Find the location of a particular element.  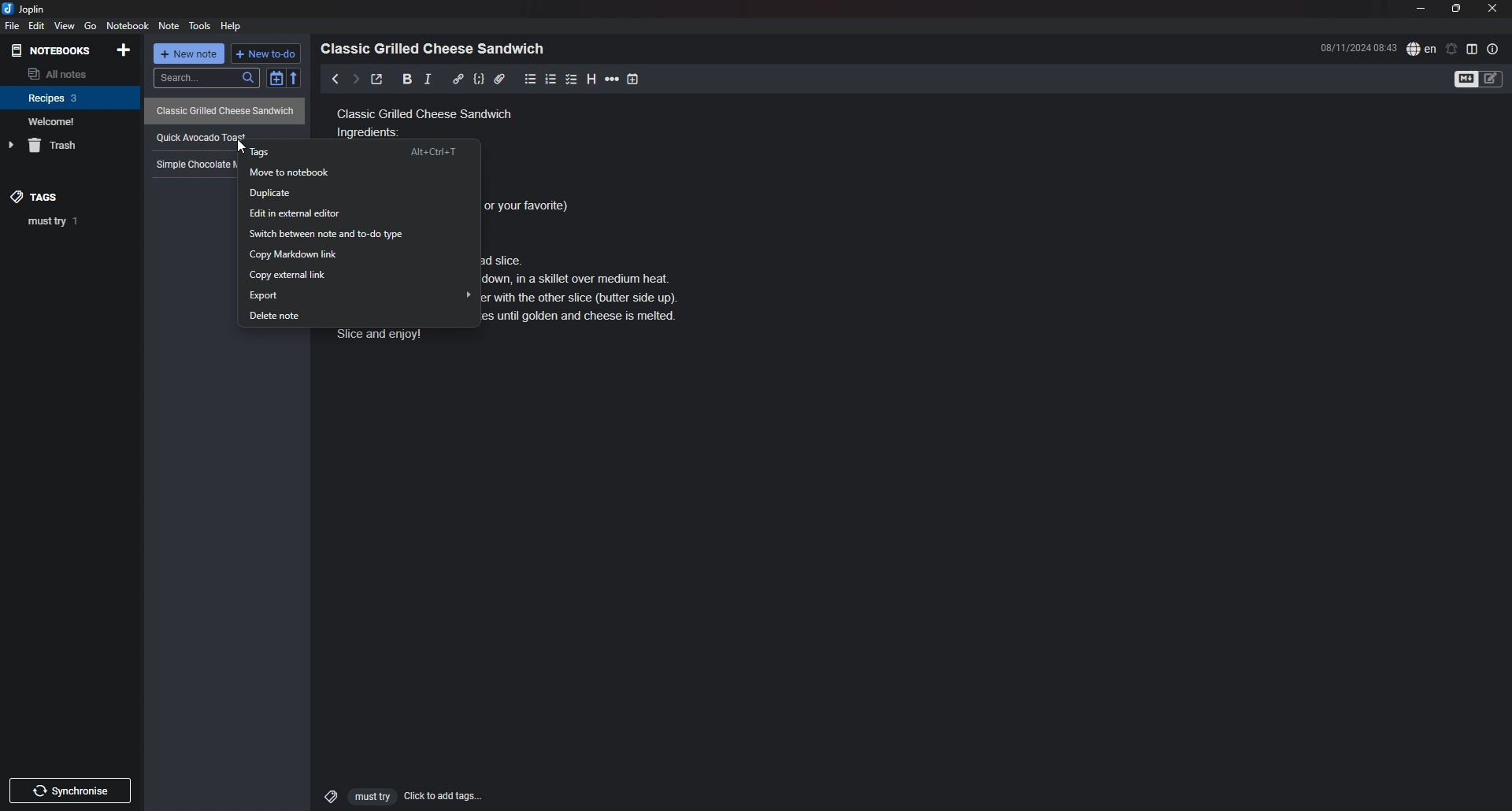

Help is located at coordinates (232, 25).